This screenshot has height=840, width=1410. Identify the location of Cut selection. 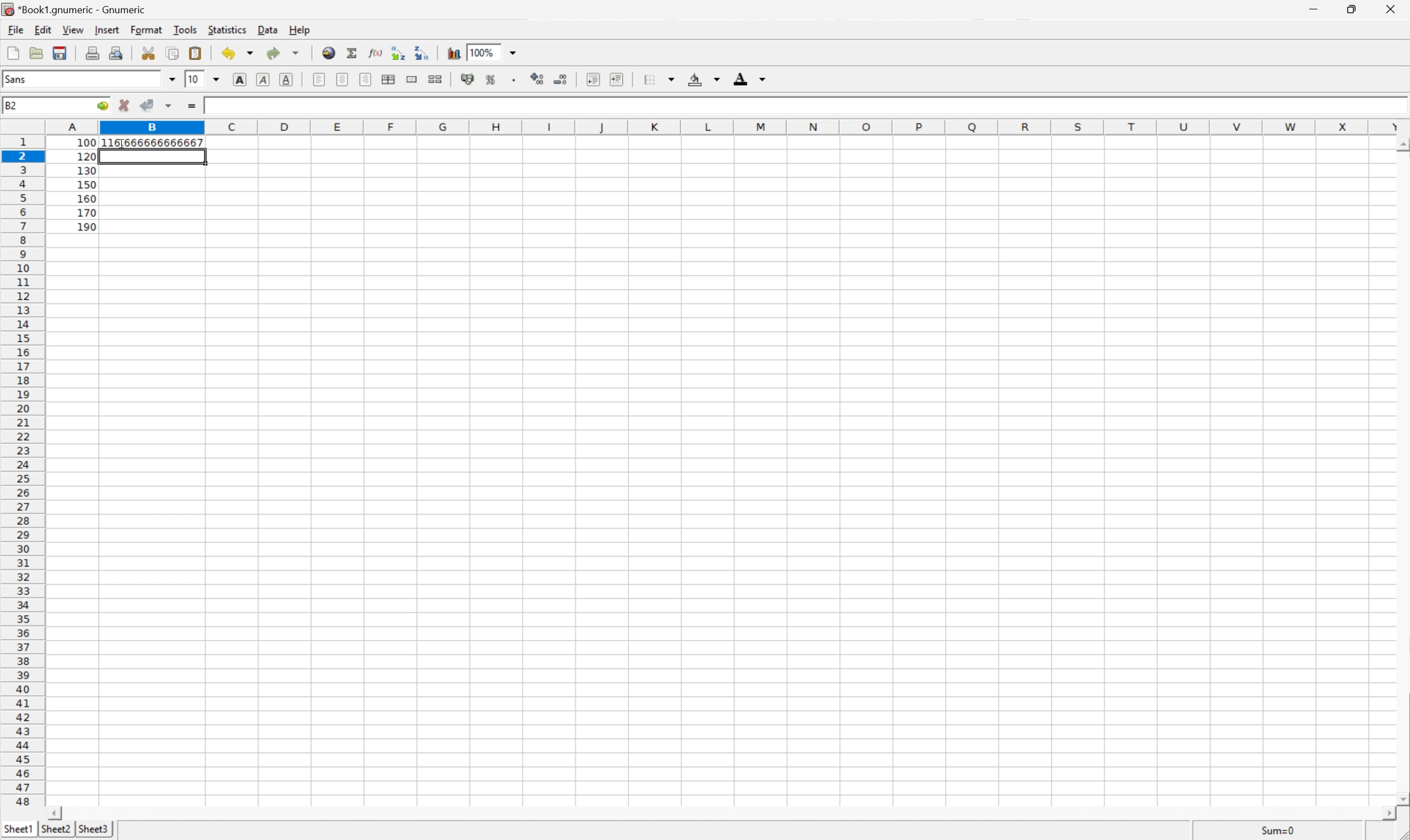
(148, 53).